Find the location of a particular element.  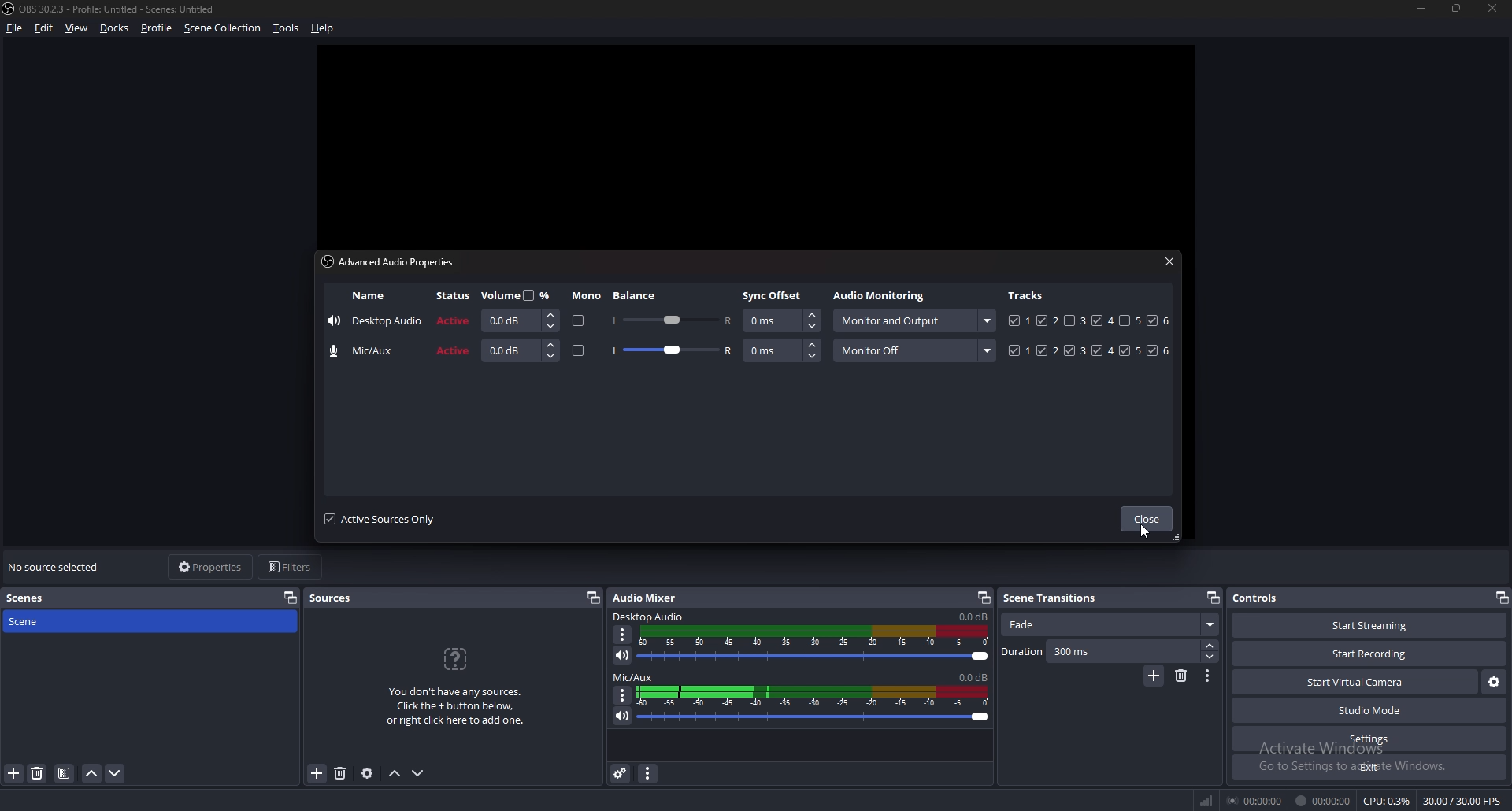

decrease duration is located at coordinates (1209, 657).